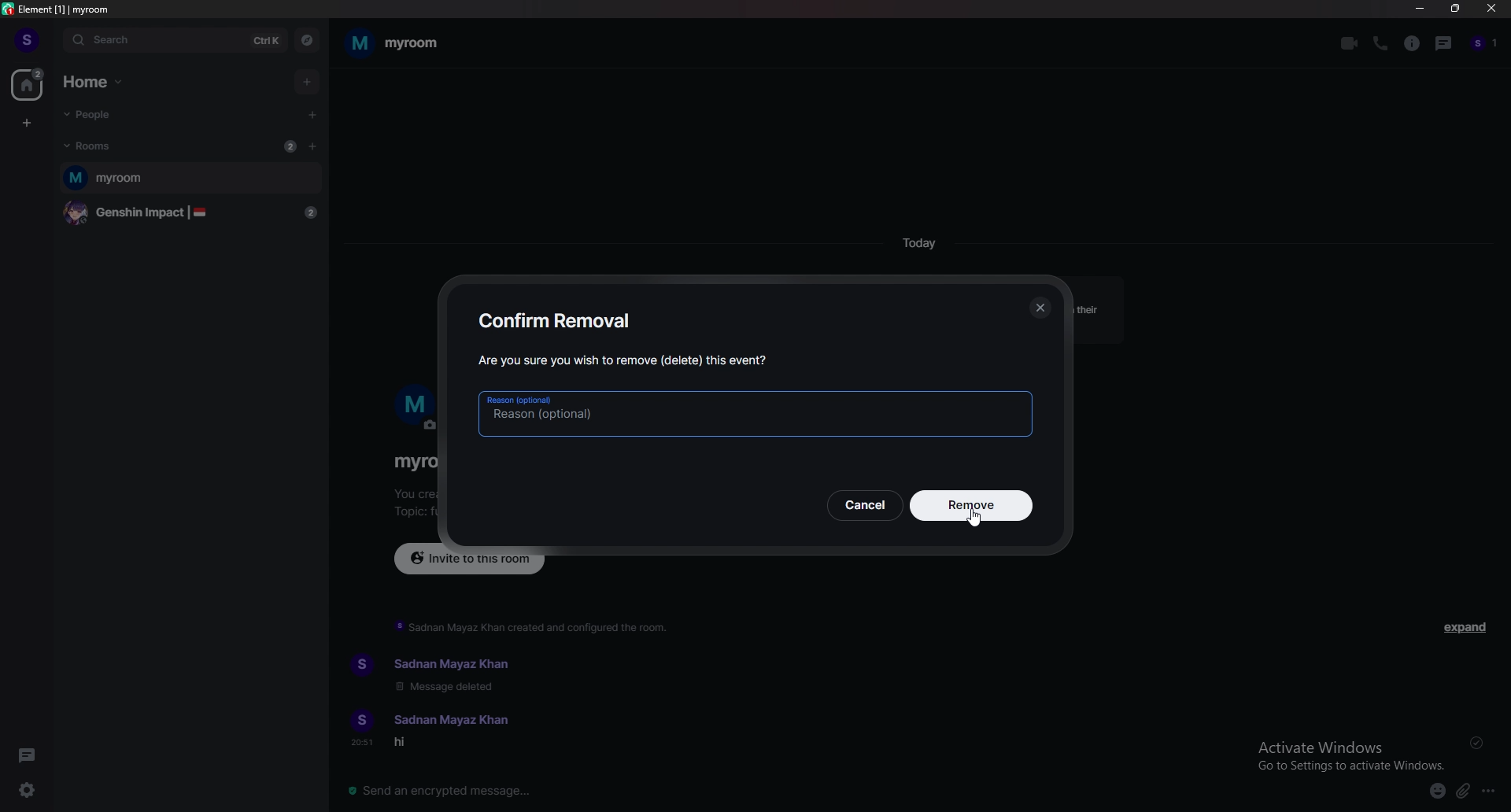  I want to click on options, so click(1491, 790).